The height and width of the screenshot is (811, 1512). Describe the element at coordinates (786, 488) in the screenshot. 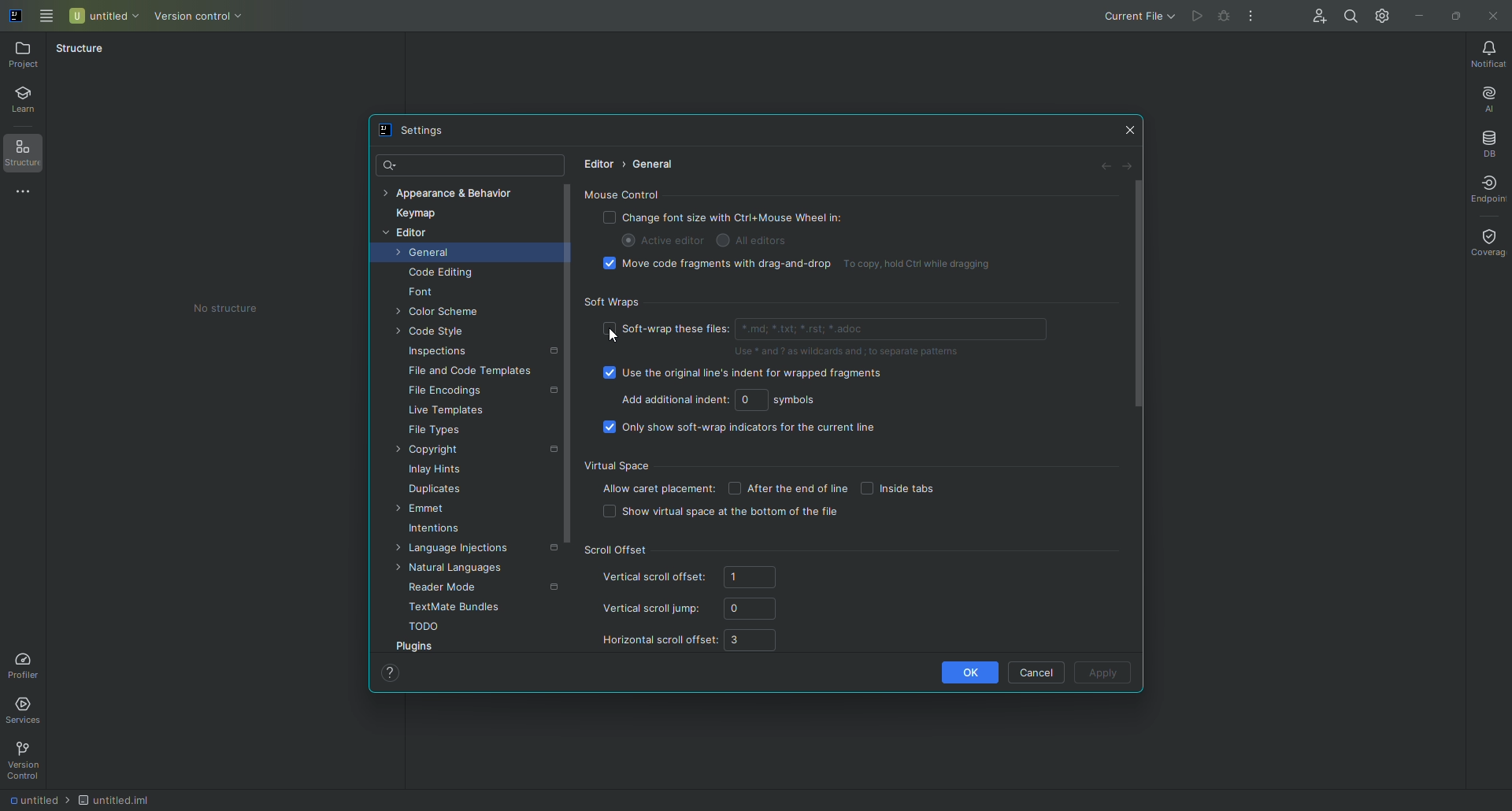

I see `After the end of line` at that location.